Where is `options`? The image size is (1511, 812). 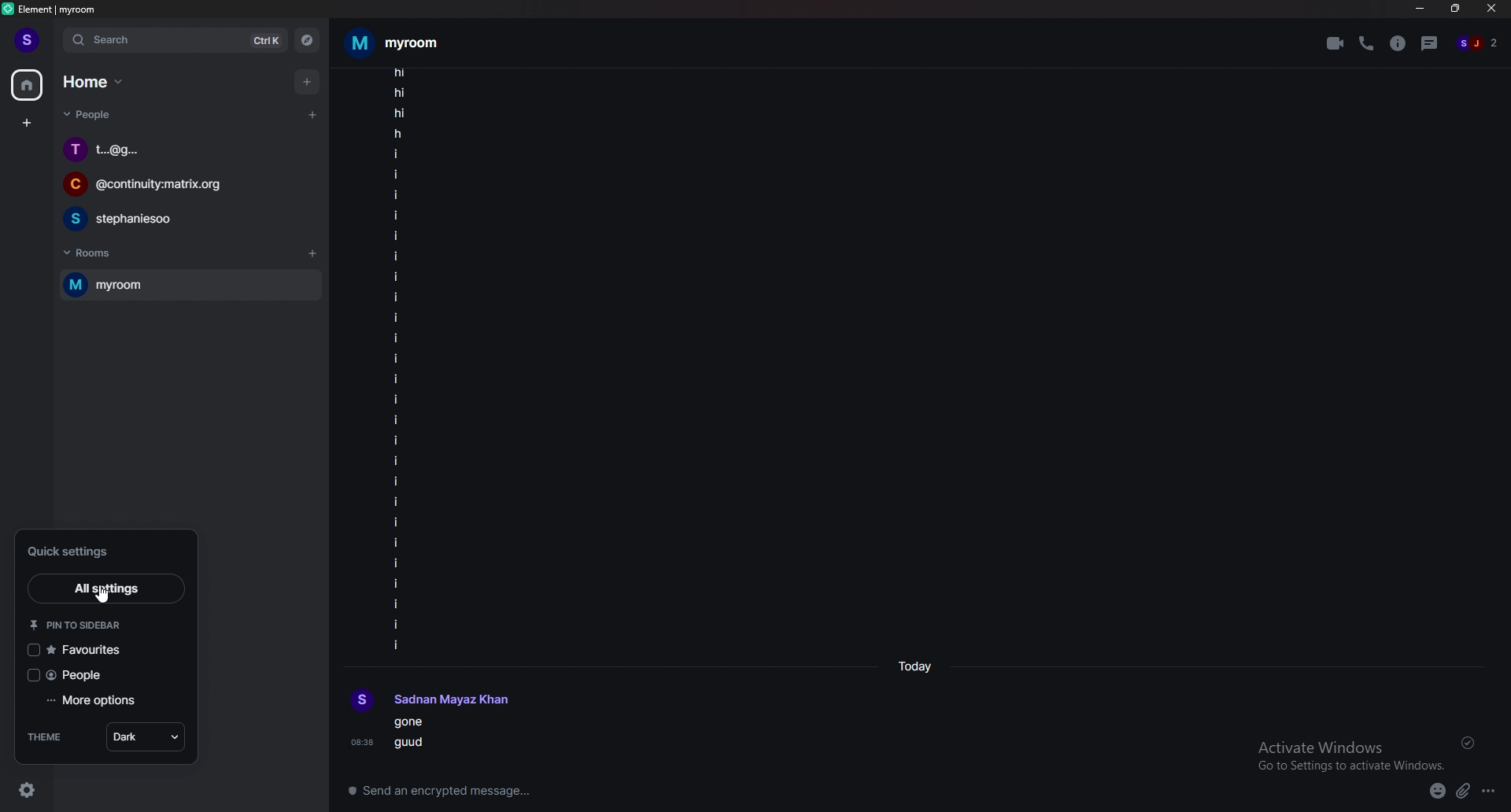
options is located at coordinates (1488, 791).